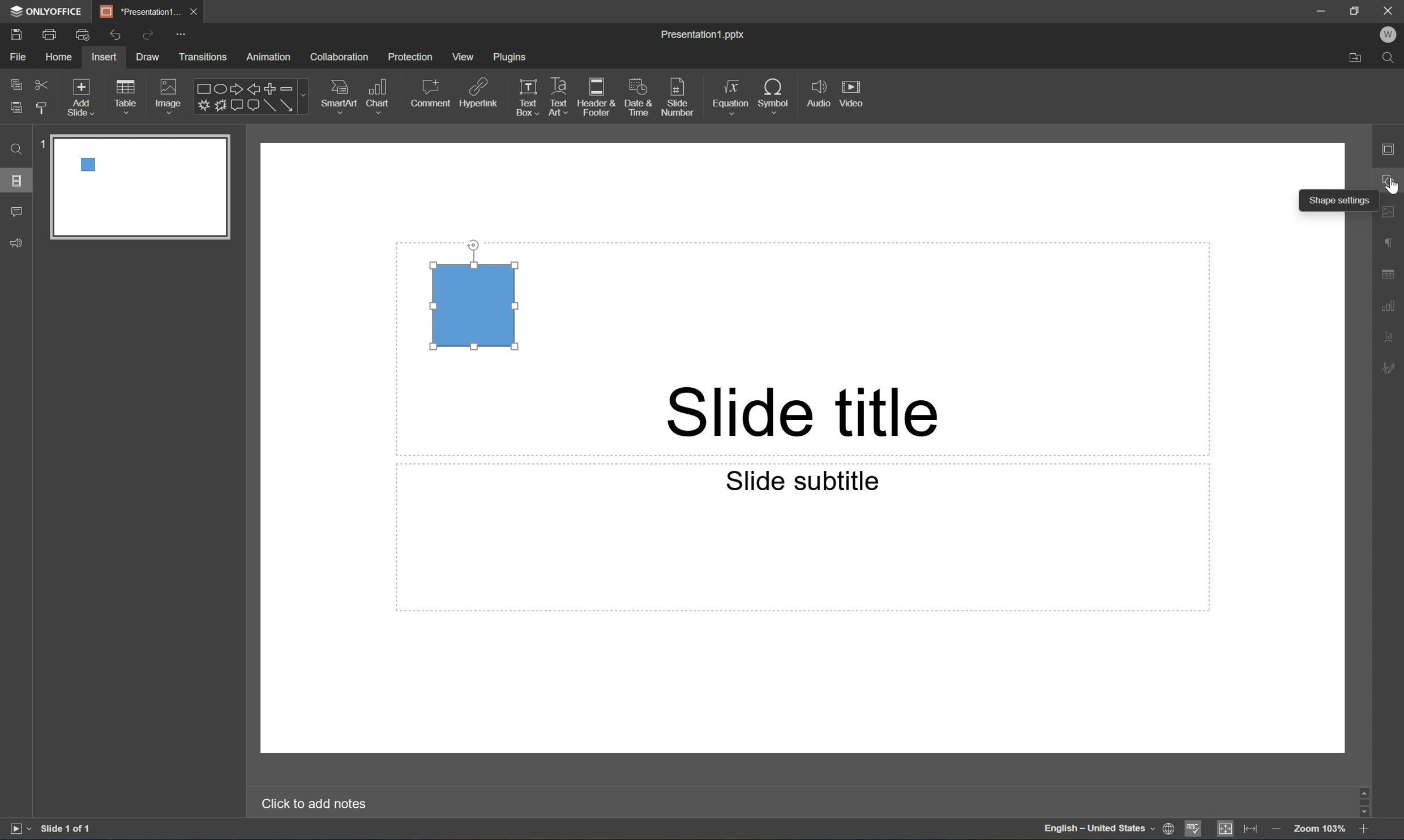 The width and height of the screenshot is (1404, 840). Describe the element at coordinates (510, 57) in the screenshot. I see `Plugins` at that location.